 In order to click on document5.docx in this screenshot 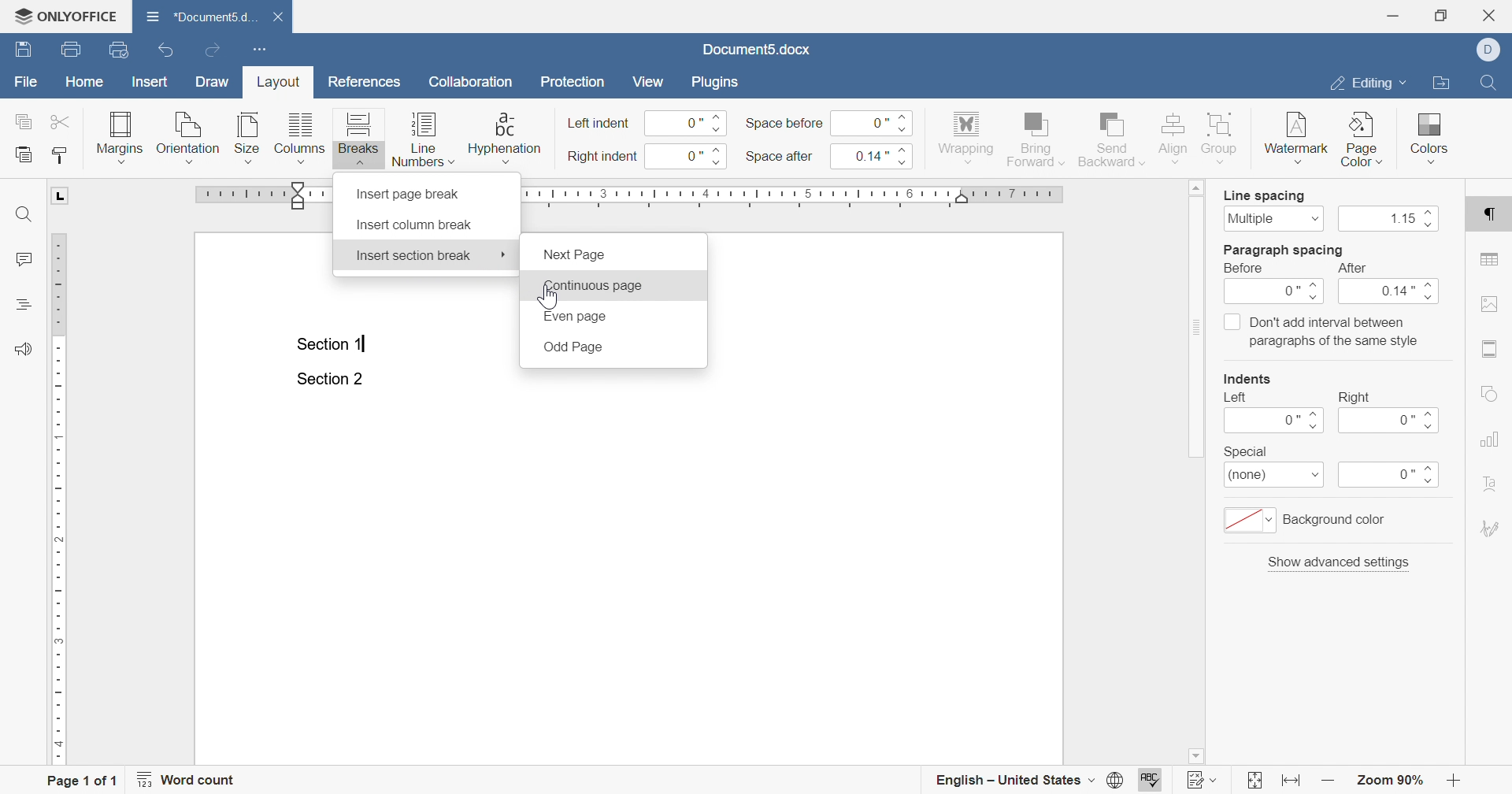, I will do `click(755, 50)`.